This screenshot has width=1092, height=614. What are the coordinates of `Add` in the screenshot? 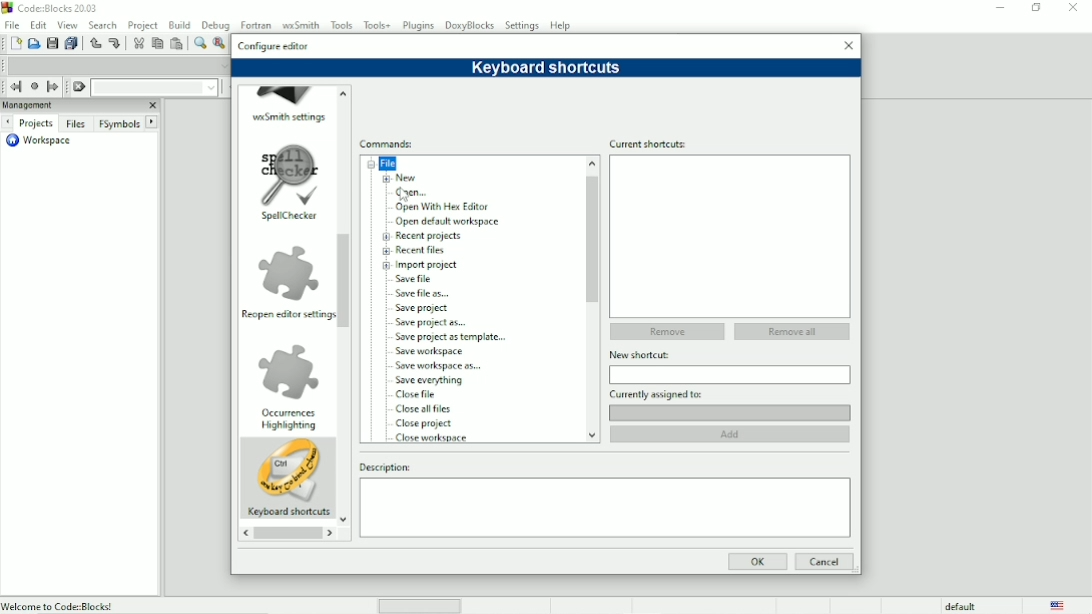 It's located at (733, 434).